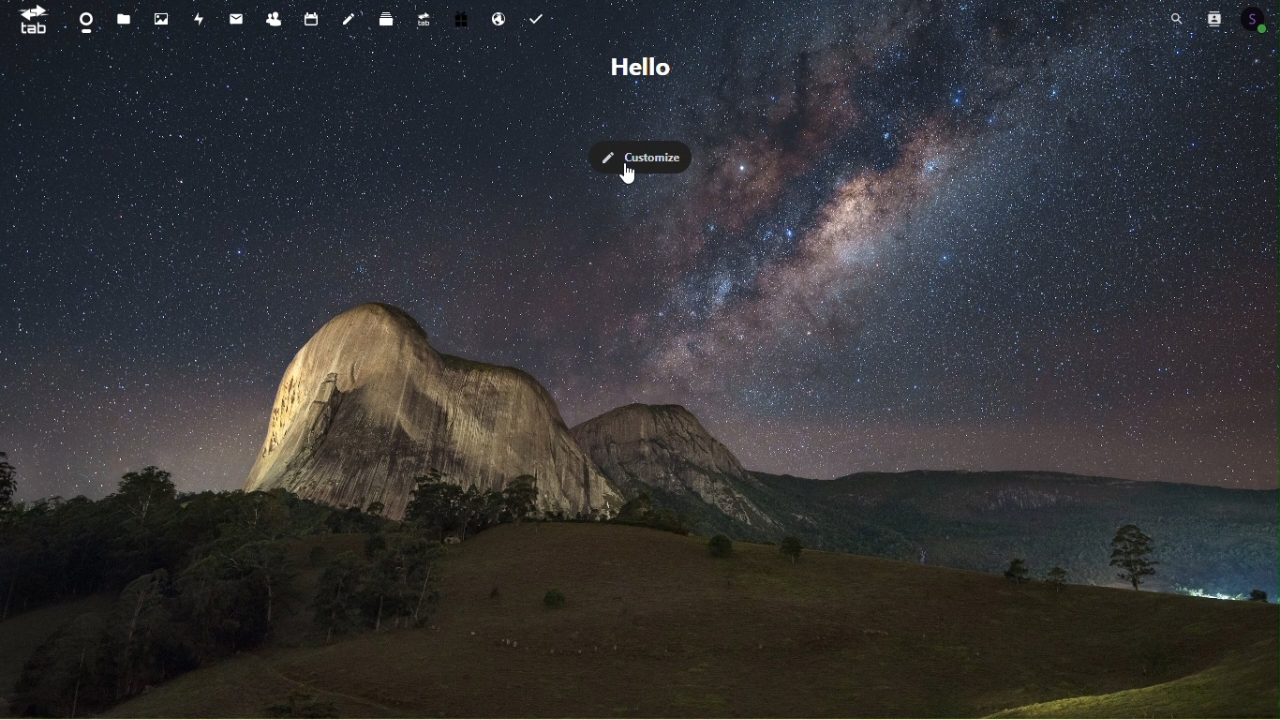 The width and height of the screenshot is (1280, 720). I want to click on Account icon, so click(1258, 16).